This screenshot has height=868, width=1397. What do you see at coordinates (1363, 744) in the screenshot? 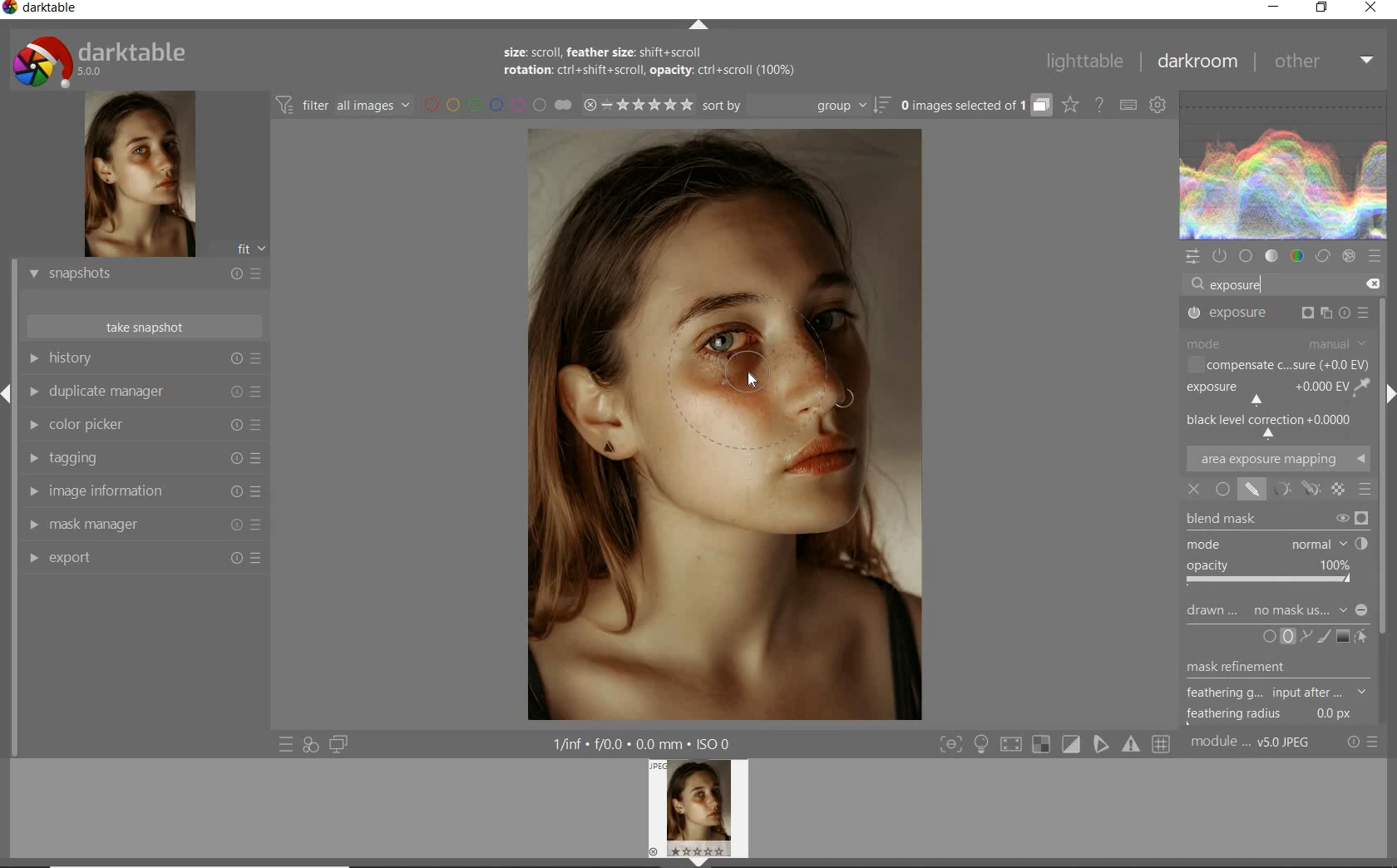
I see `reset or presets & preferences` at bounding box center [1363, 744].